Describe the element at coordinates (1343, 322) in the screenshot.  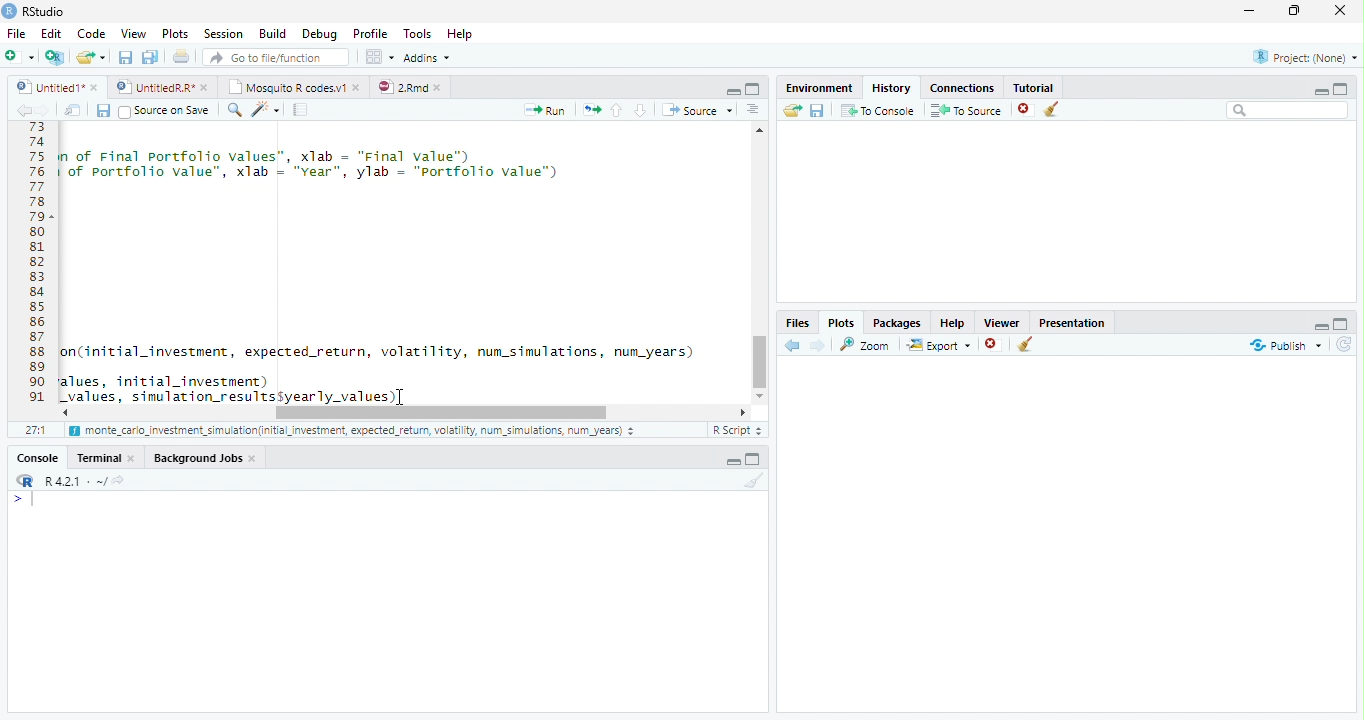
I see `Full Height` at that location.